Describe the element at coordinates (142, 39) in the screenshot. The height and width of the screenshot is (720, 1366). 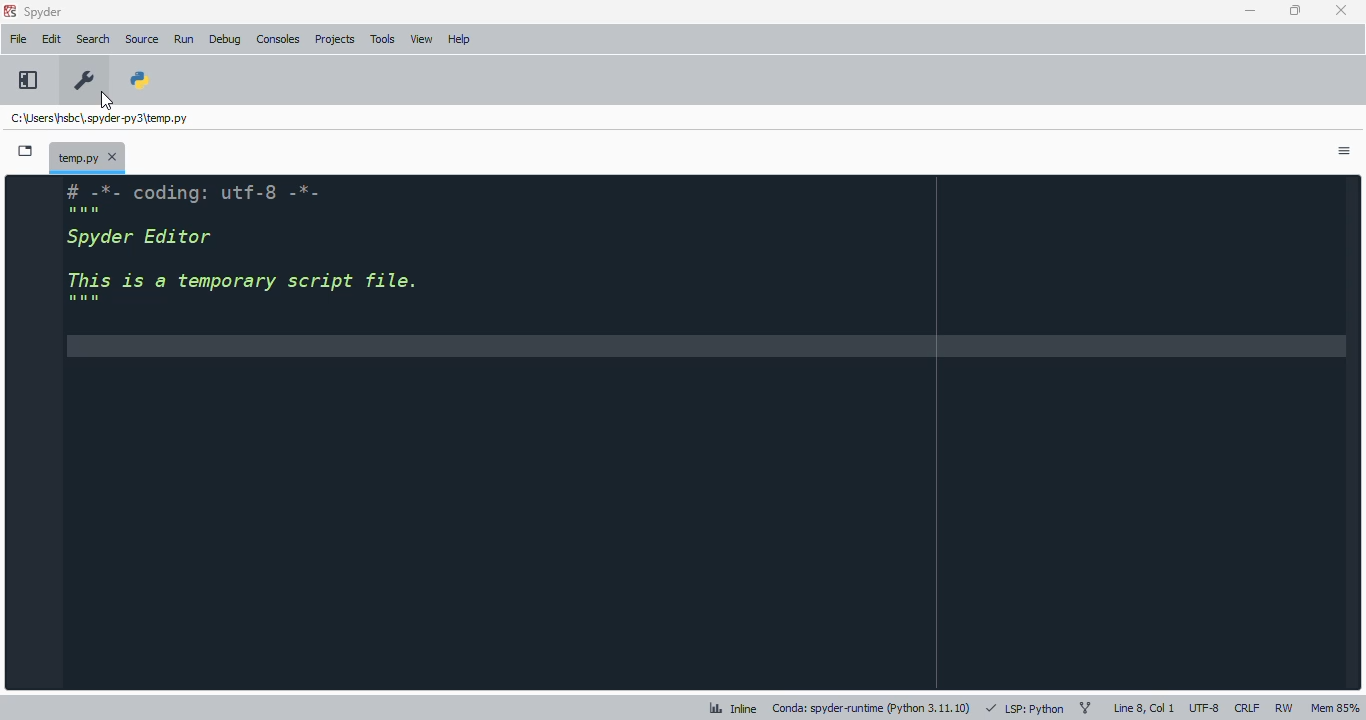
I see `source` at that location.